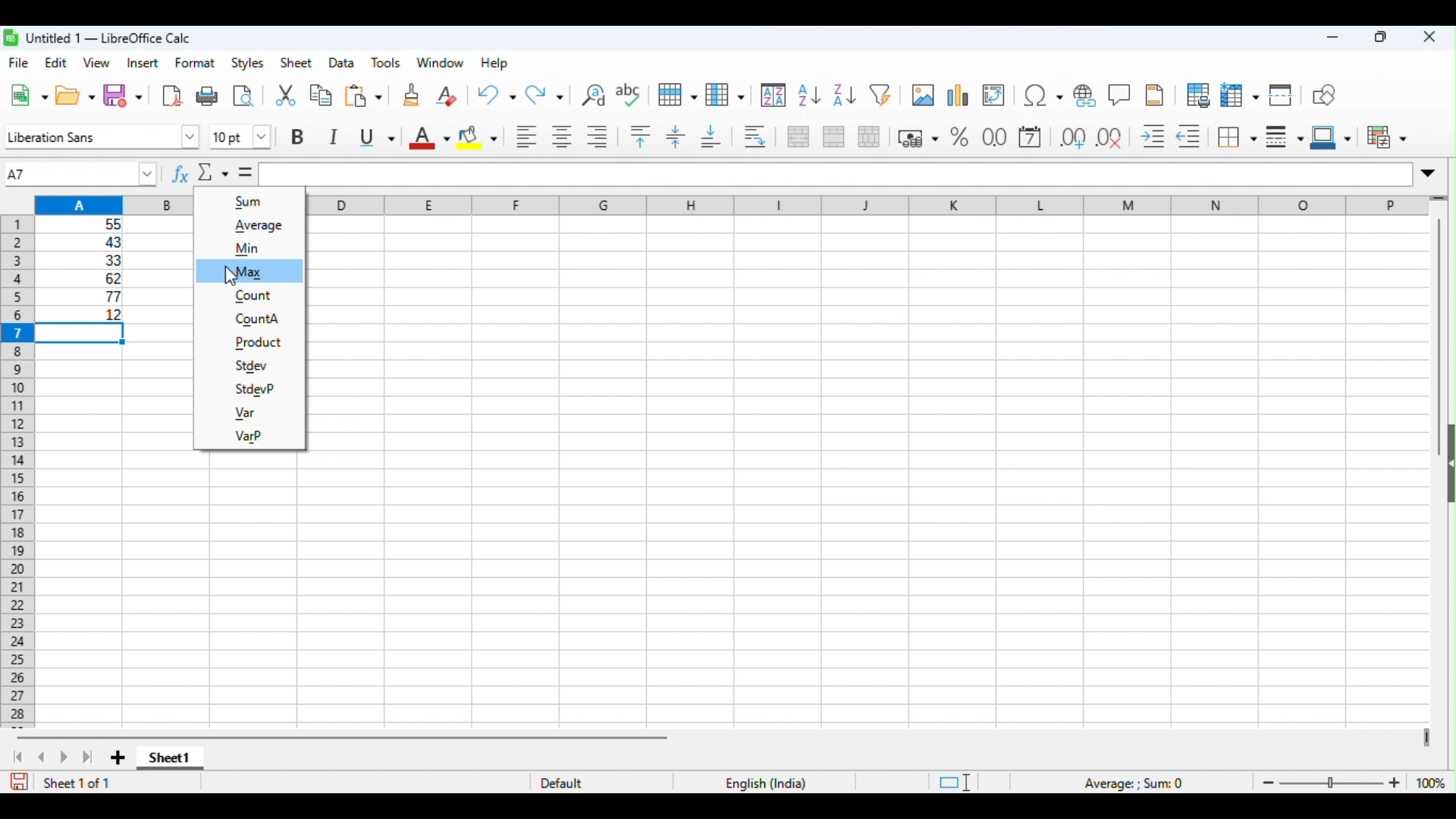 The height and width of the screenshot is (819, 1456). I want to click on previous sheet, so click(44, 757).